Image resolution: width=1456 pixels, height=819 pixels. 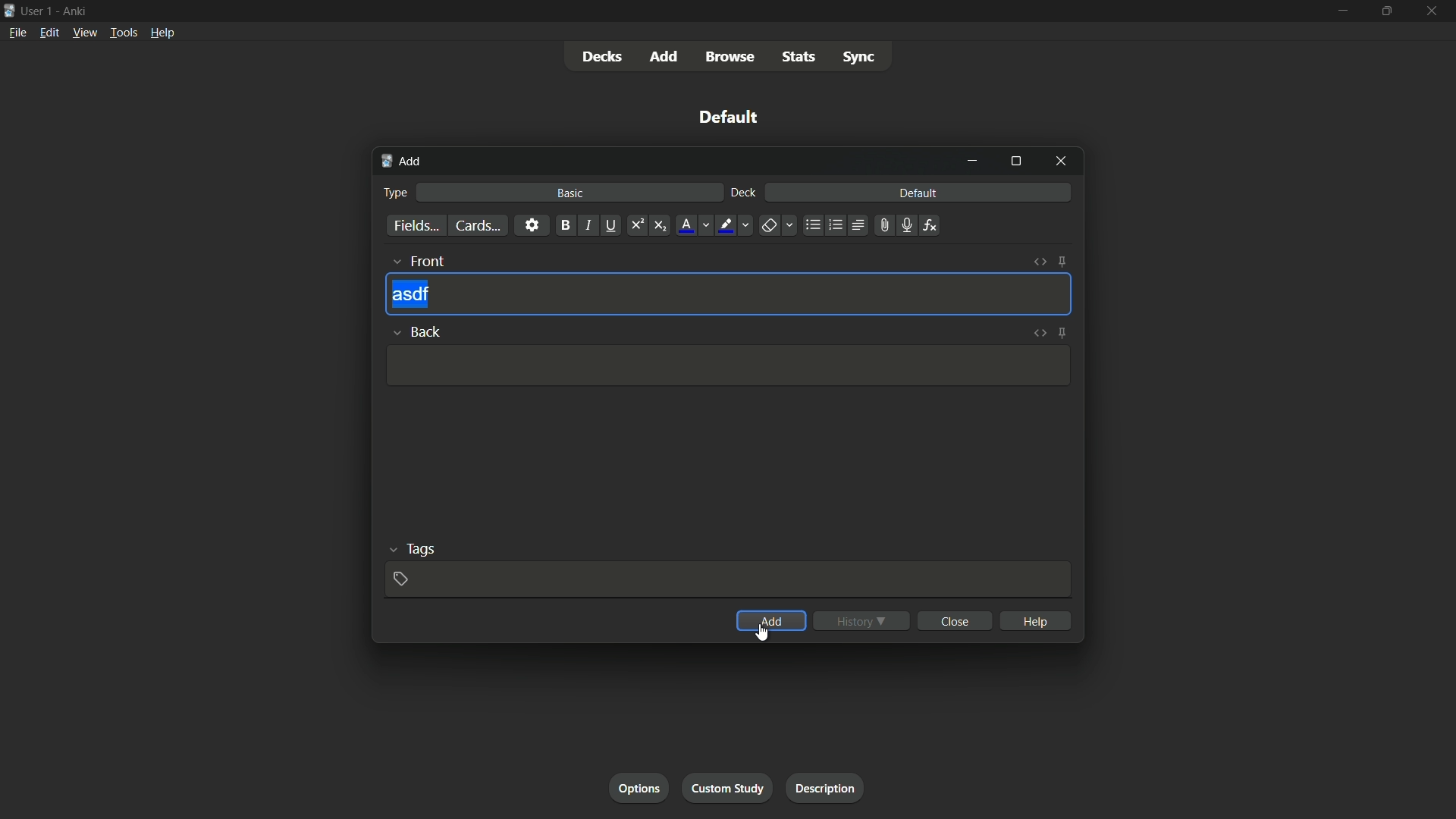 I want to click on maximize, so click(x=1015, y=162).